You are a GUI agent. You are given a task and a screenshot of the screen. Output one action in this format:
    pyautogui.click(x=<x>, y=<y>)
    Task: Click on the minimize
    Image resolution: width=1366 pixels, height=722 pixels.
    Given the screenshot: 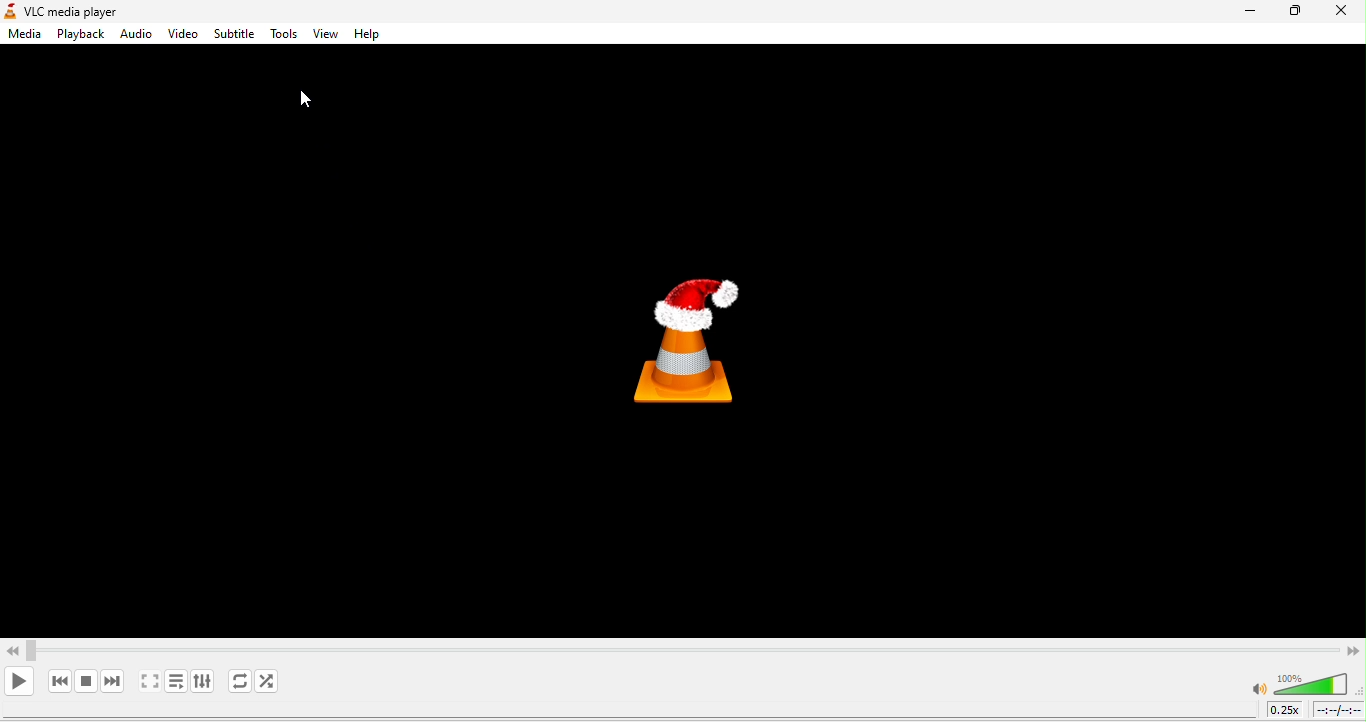 What is the action you would take?
    pyautogui.click(x=1243, y=16)
    